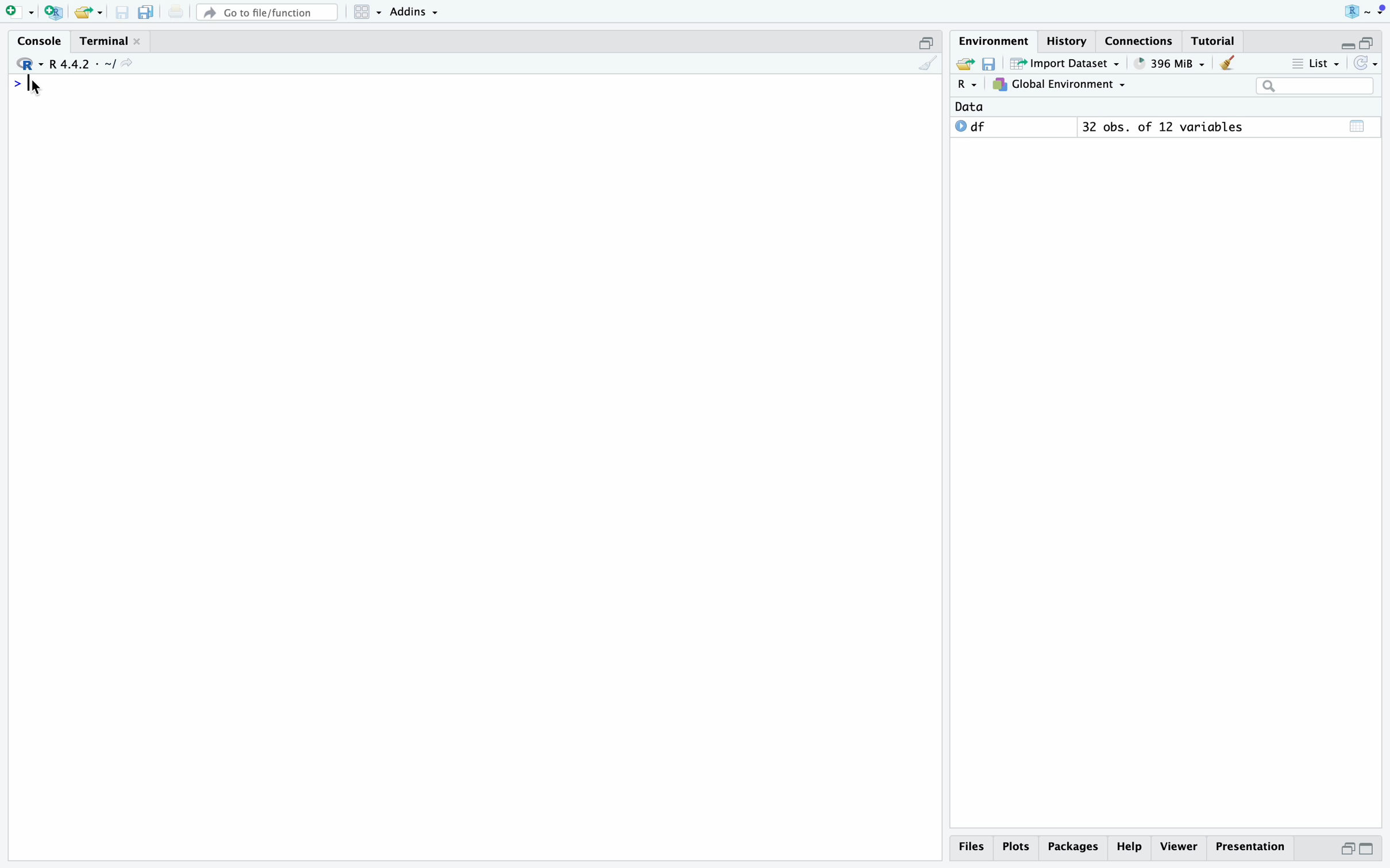 The image size is (1390, 868). What do you see at coordinates (176, 12) in the screenshot?
I see `print` at bounding box center [176, 12].